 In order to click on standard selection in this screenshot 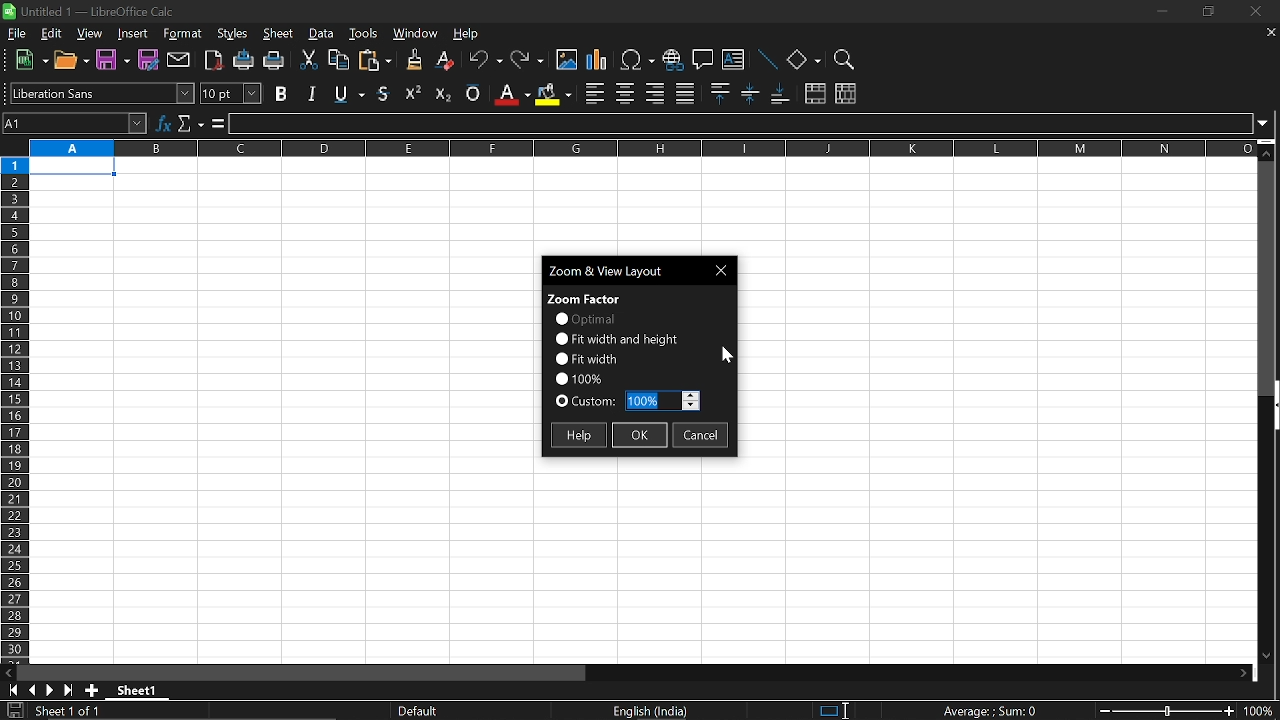, I will do `click(834, 710)`.